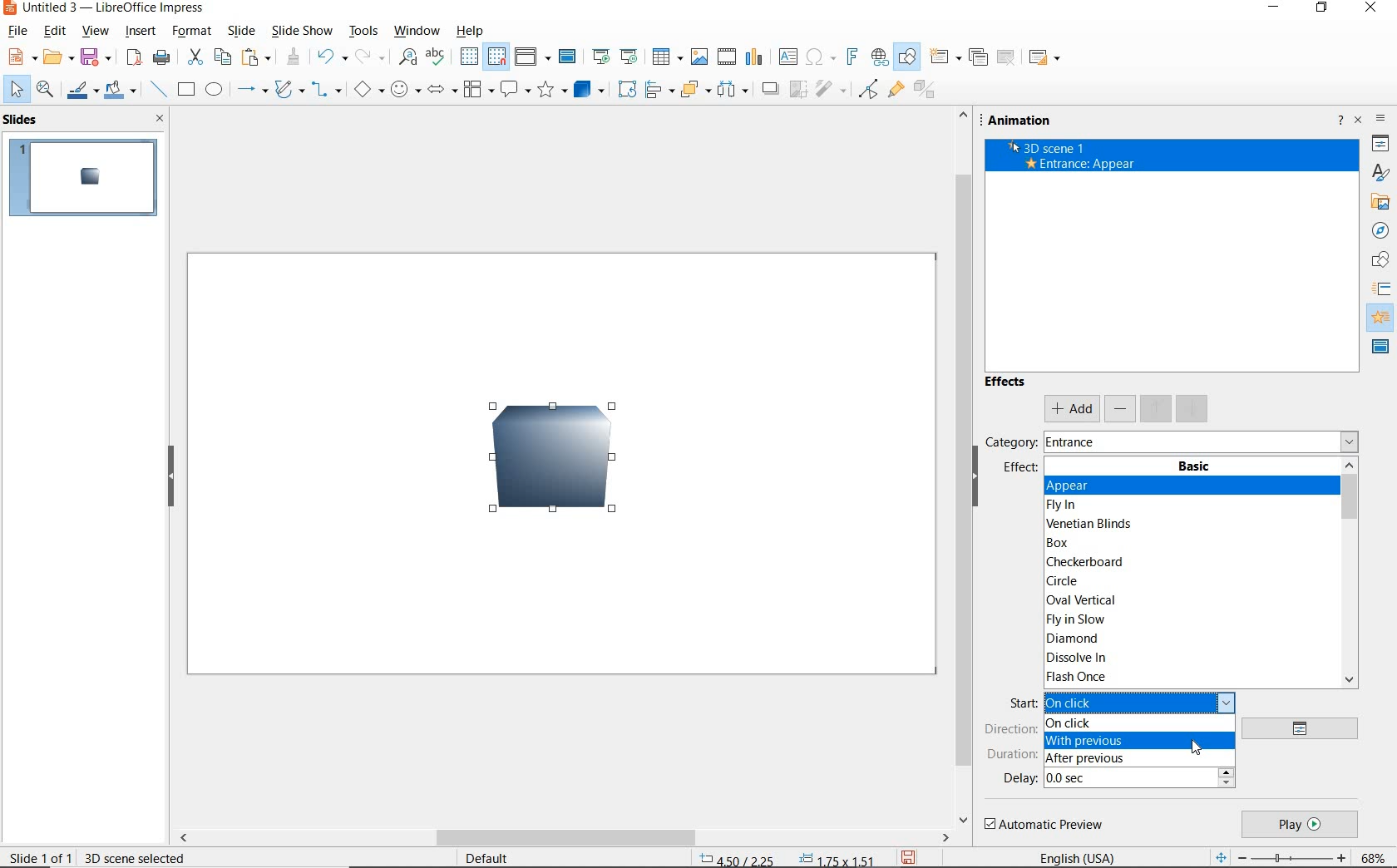 The width and height of the screenshot is (1397, 868). Describe the element at coordinates (1382, 289) in the screenshot. I see `SLIDE TRANSITION` at that location.